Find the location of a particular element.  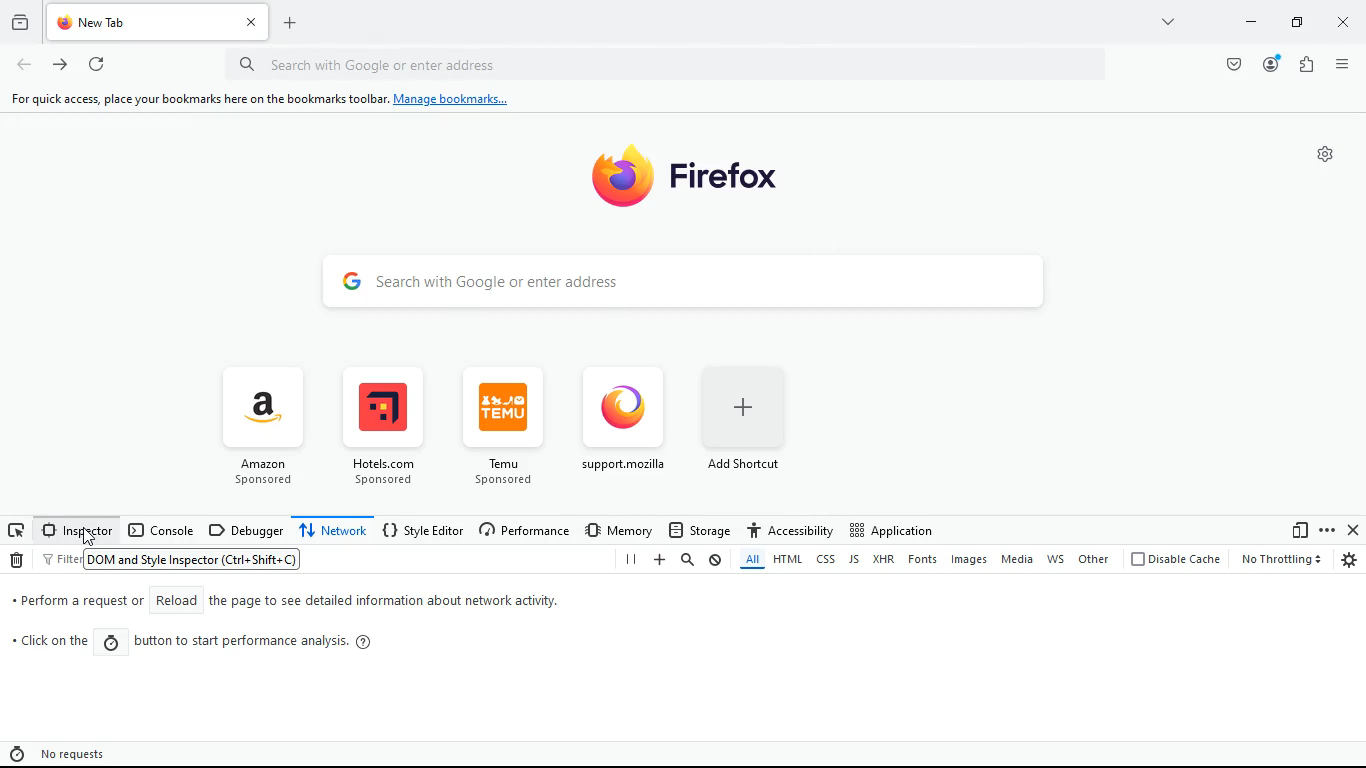

refresh is located at coordinates (95, 65).